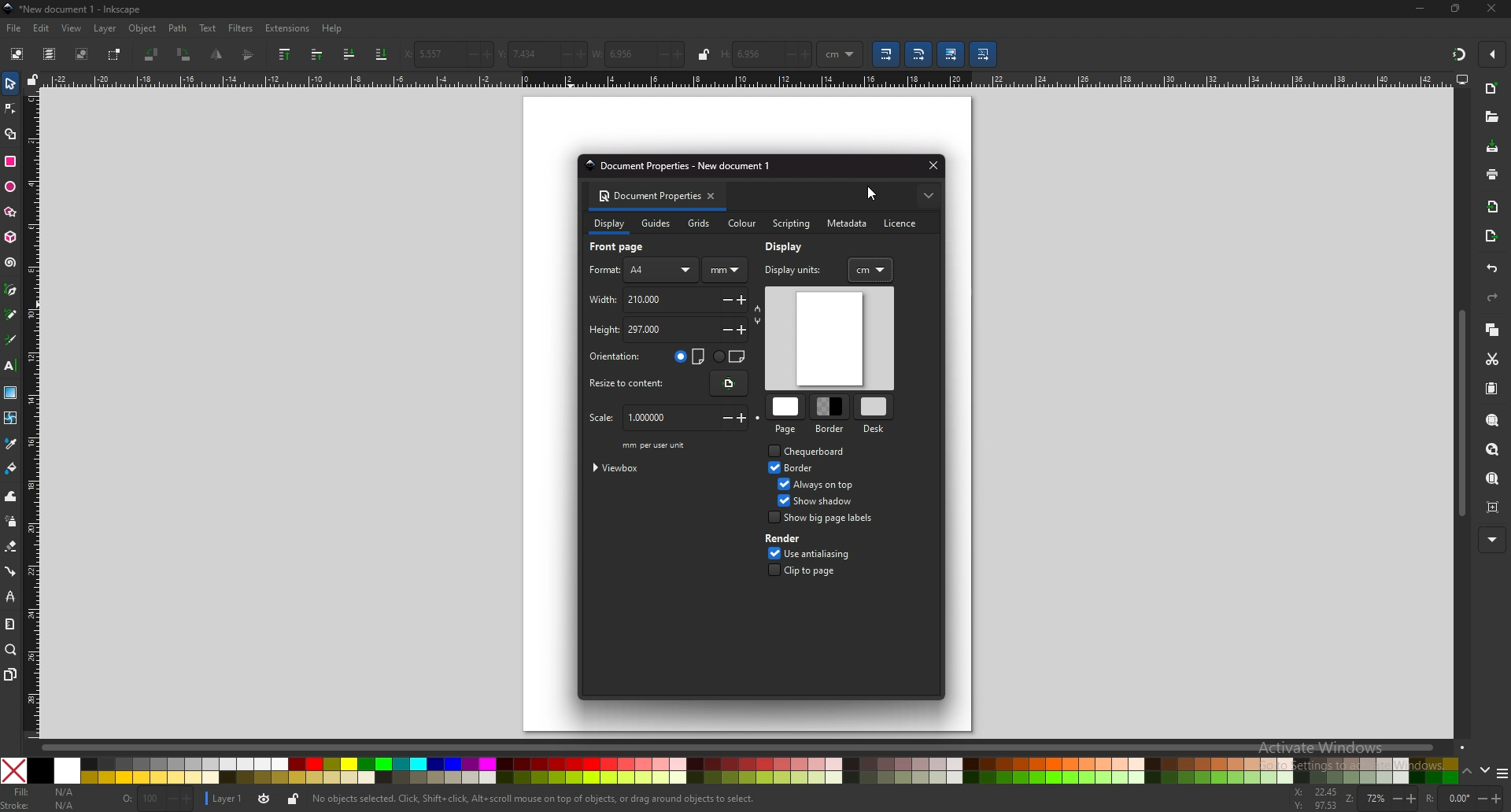  What do you see at coordinates (1494, 209) in the screenshot?
I see `import` at bounding box center [1494, 209].